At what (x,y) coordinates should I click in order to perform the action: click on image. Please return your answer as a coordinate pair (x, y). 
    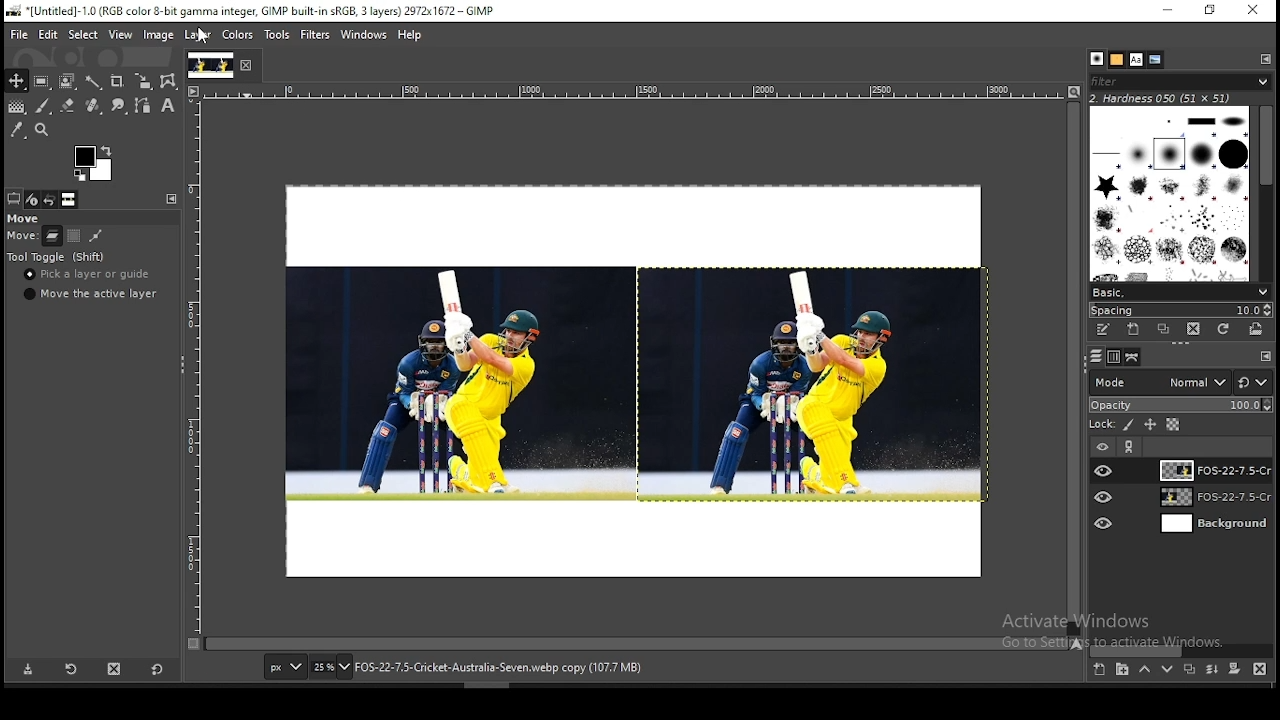
    Looking at the image, I should click on (159, 34).